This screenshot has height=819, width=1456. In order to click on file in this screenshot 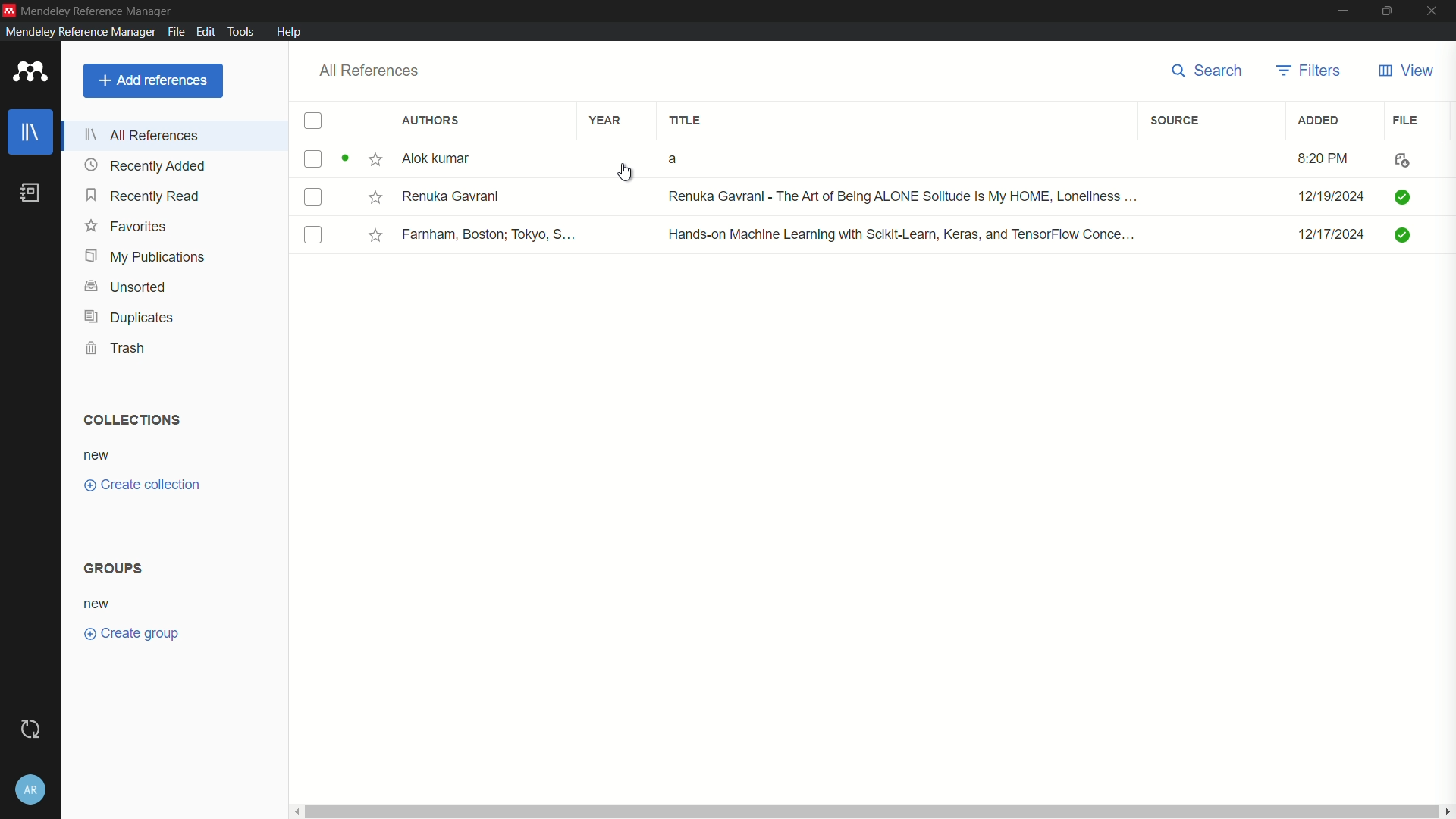, I will do `click(1407, 121)`.